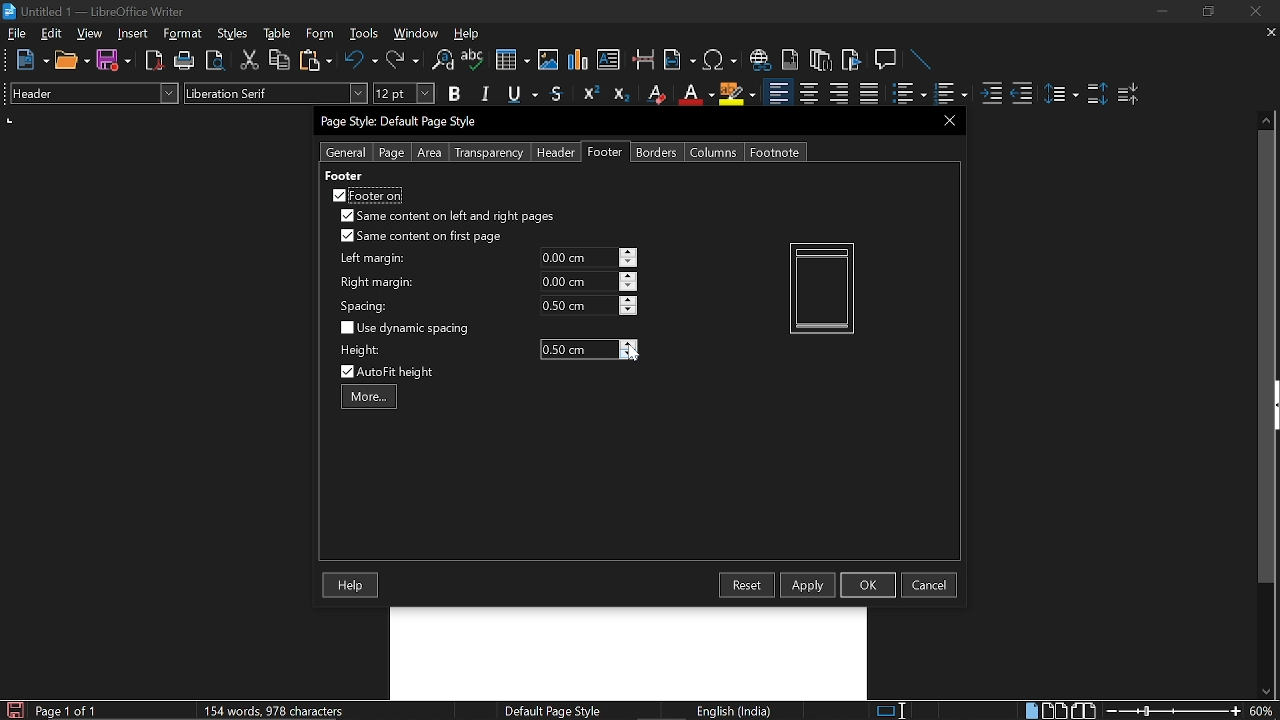 The height and width of the screenshot is (720, 1280). Describe the element at coordinates (90, 33) in the screenshot. I see `view` at that location.